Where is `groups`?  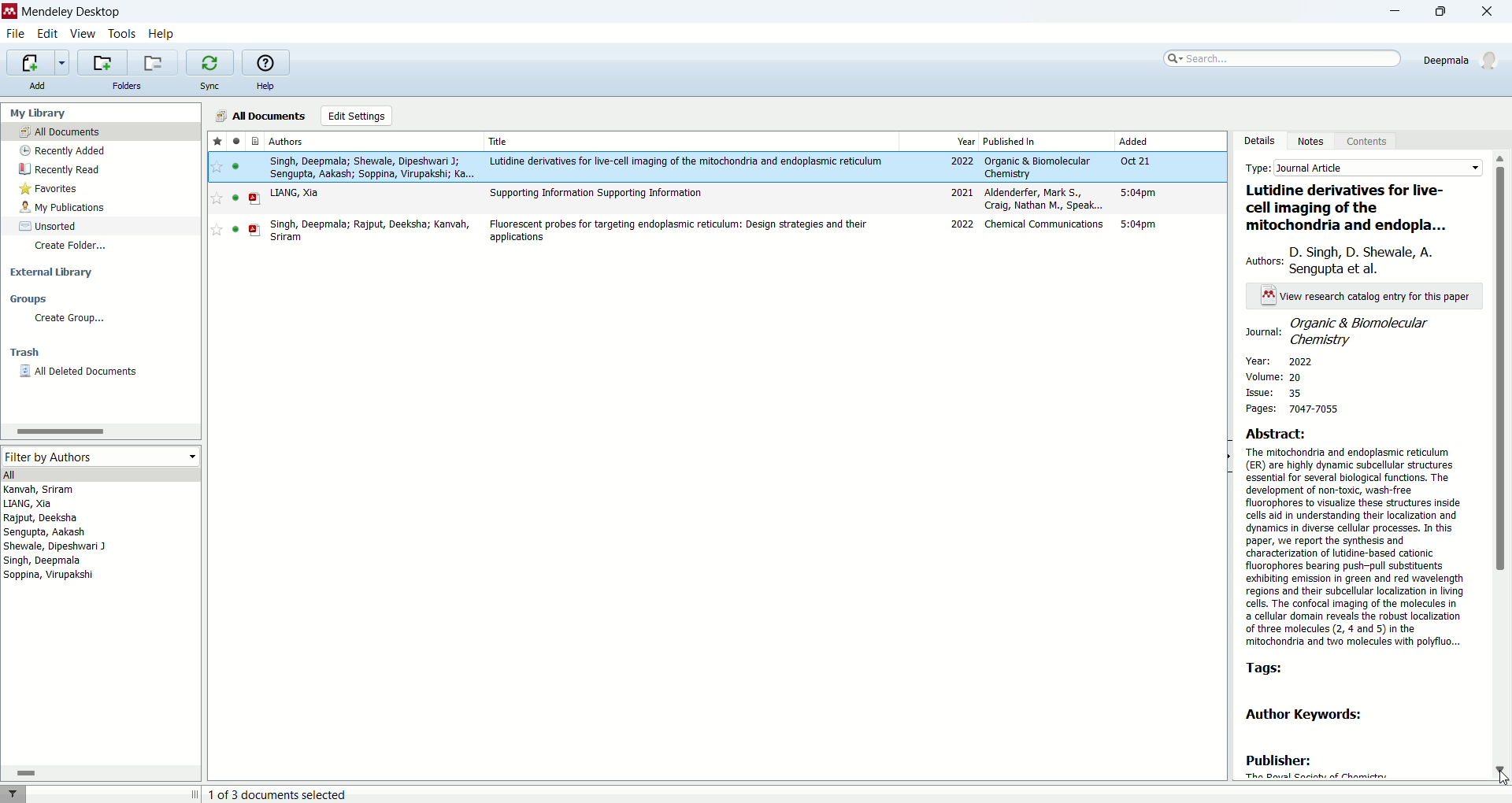
groups is located at coordinates (28, 298).